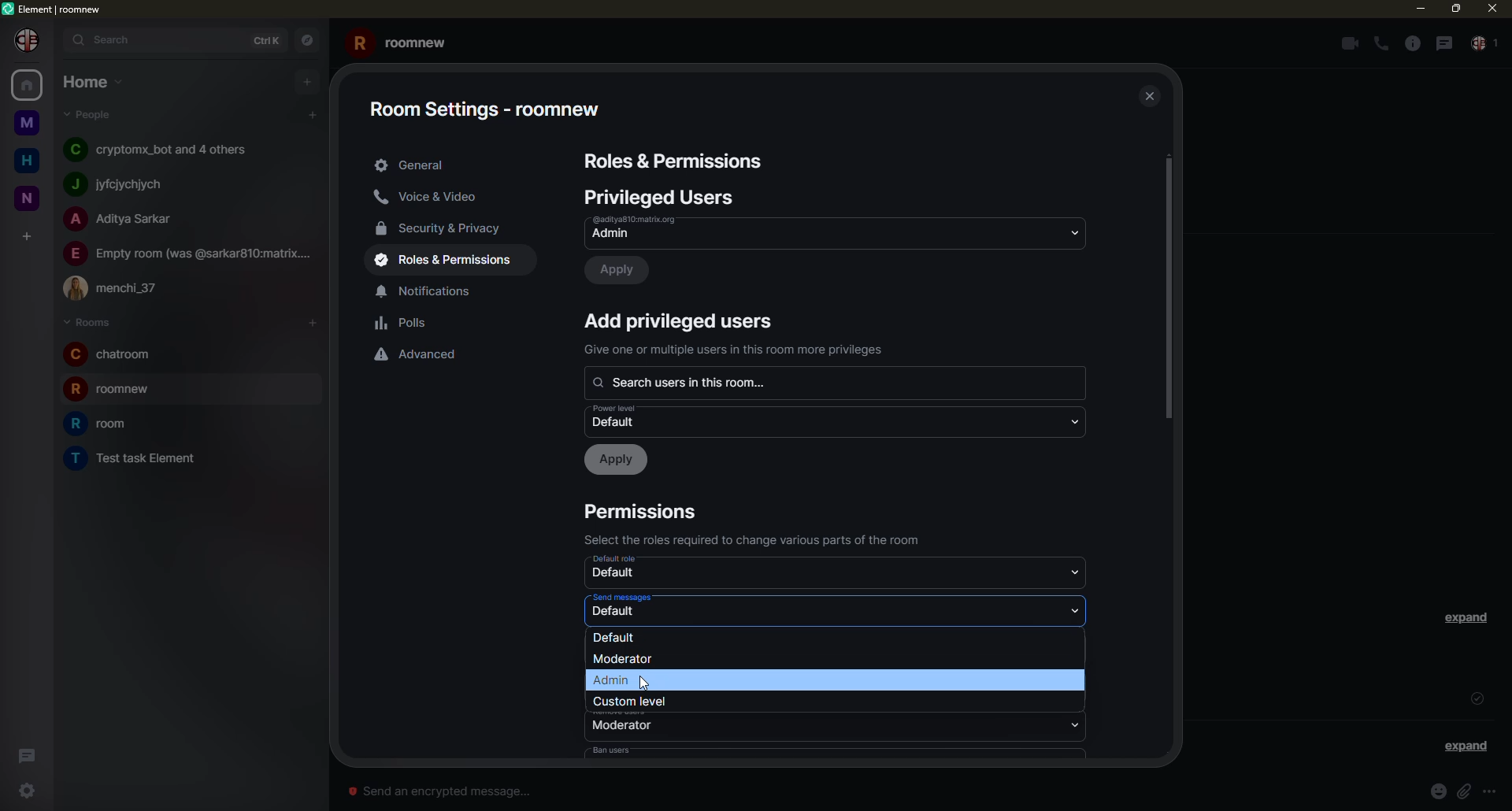  Describe the element at coordinates (28, 195) in the screenshot. I see `new` at that location.